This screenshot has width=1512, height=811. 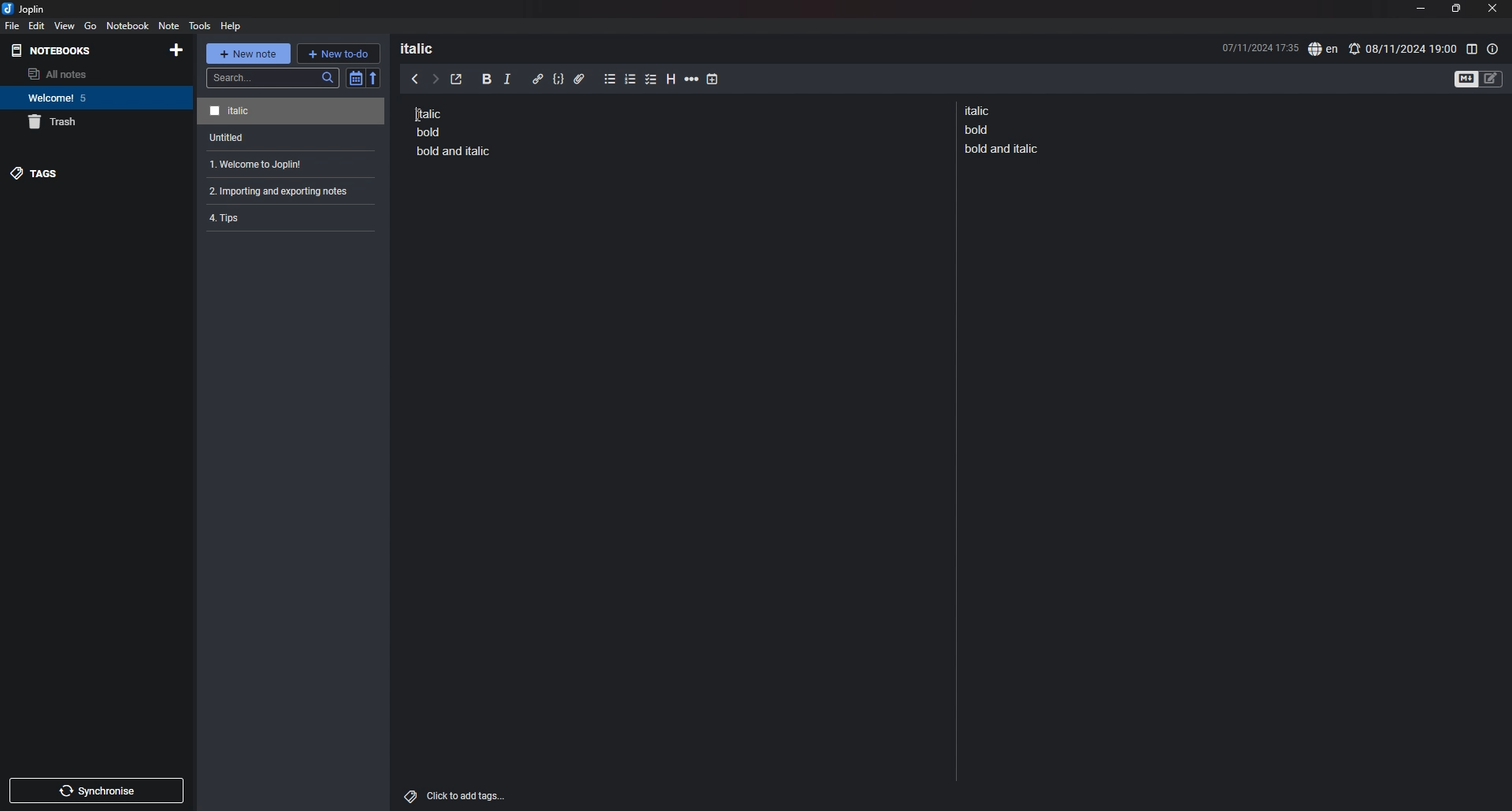 What do you see at coordinates (175, 50) in the screenshot?
I see `add notebook` at bounding box center [175, 50].